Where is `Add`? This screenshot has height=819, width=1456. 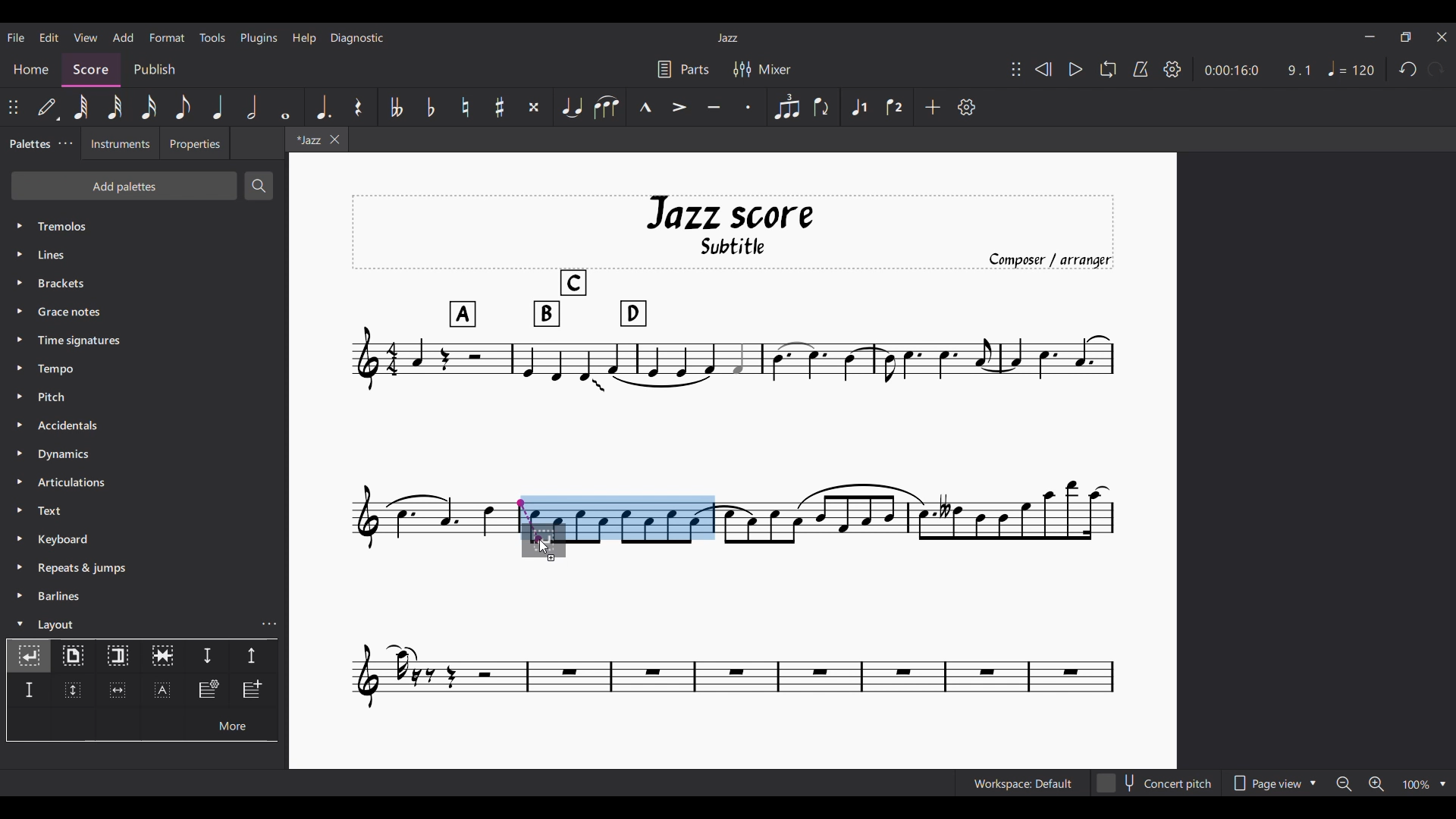 Add is located at coordinates (932, 107).